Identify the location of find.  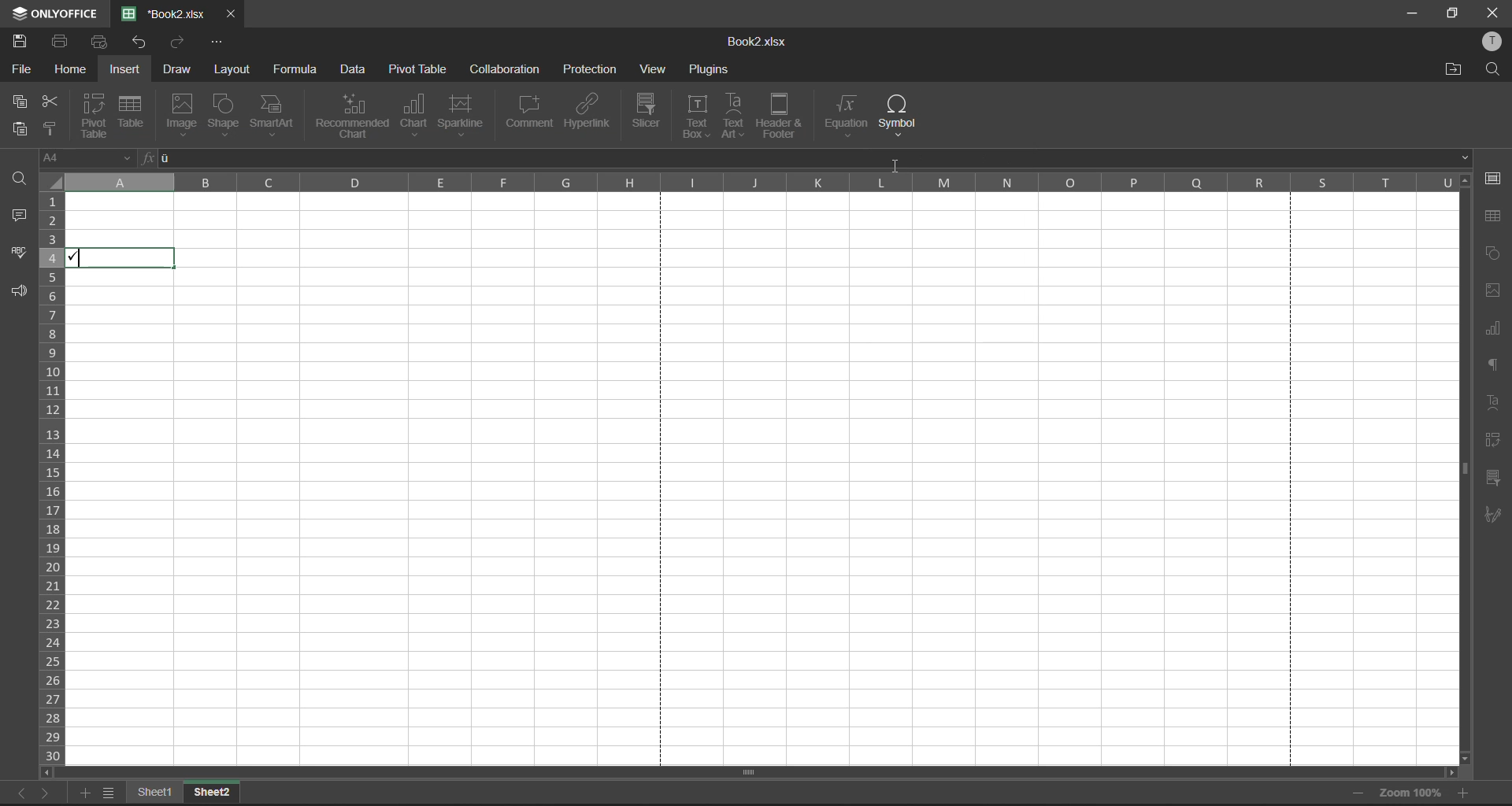
(18, 182).